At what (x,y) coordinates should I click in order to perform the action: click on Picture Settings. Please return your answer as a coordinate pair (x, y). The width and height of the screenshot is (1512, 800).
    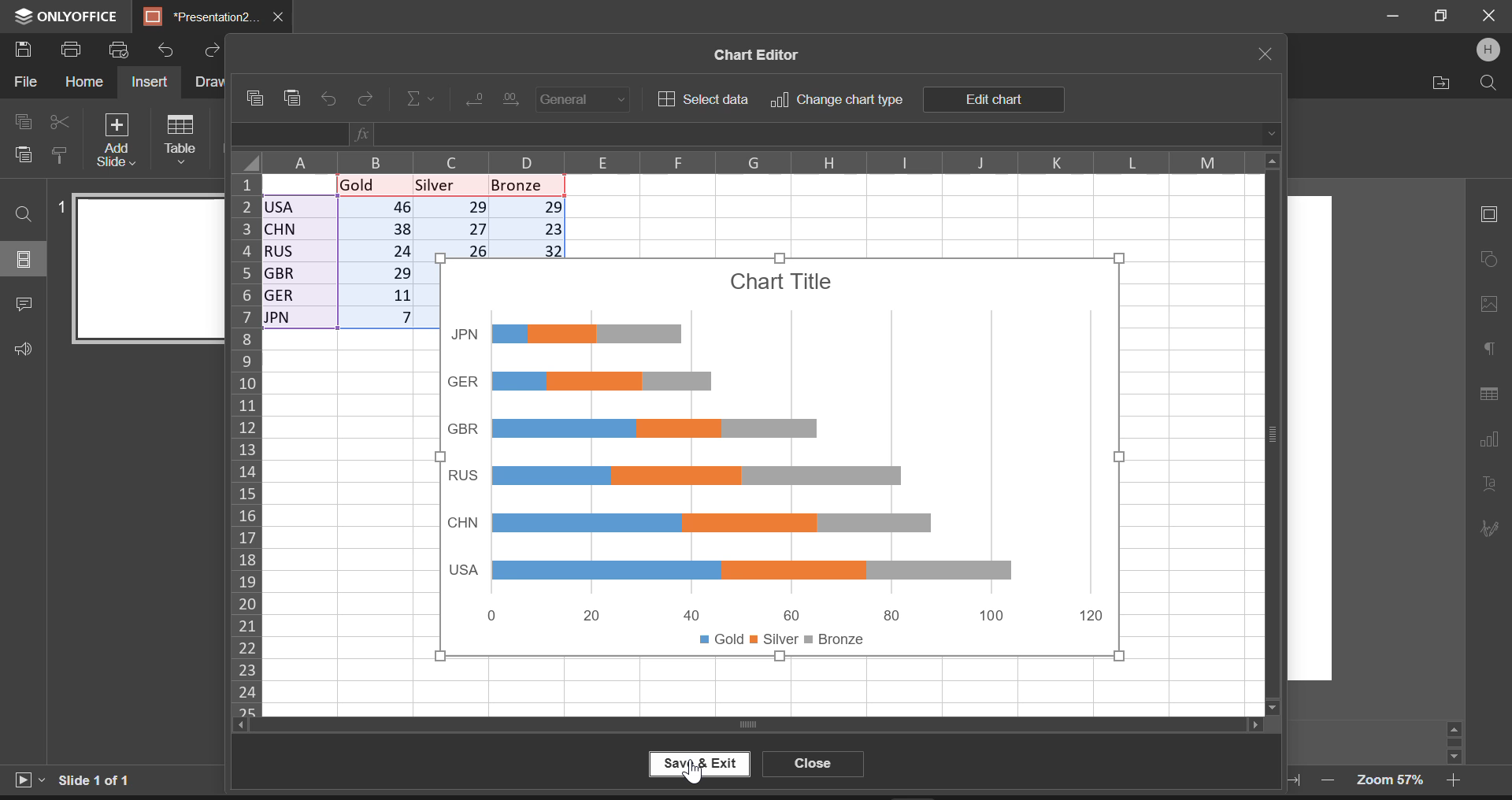
    Looking at the image, I should click on (1485, 303).